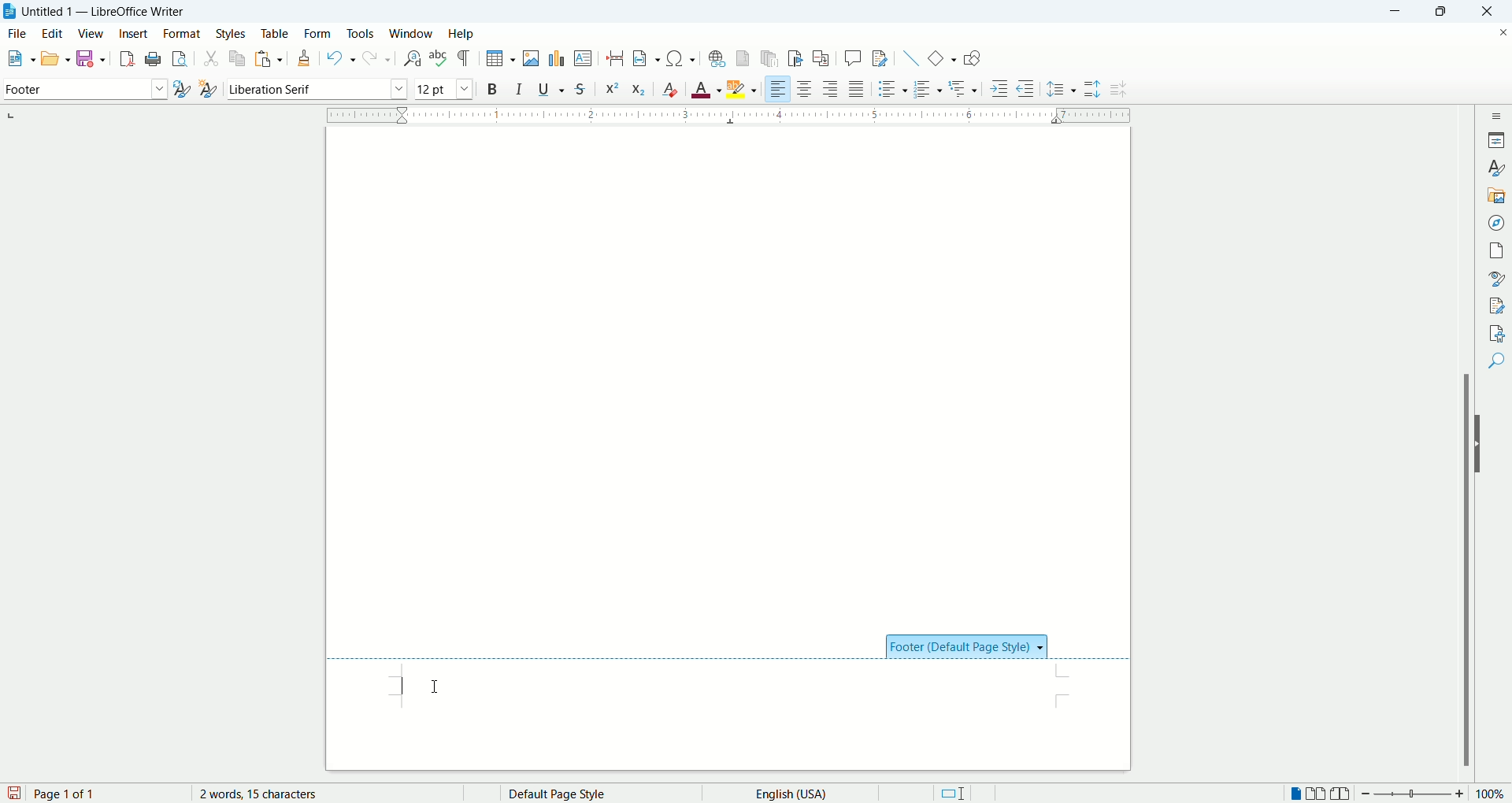 This screenshot has height=803, width=1512. Describe the element at coordinates (1482, 444) in the screenshot. I see `hide` at that location.